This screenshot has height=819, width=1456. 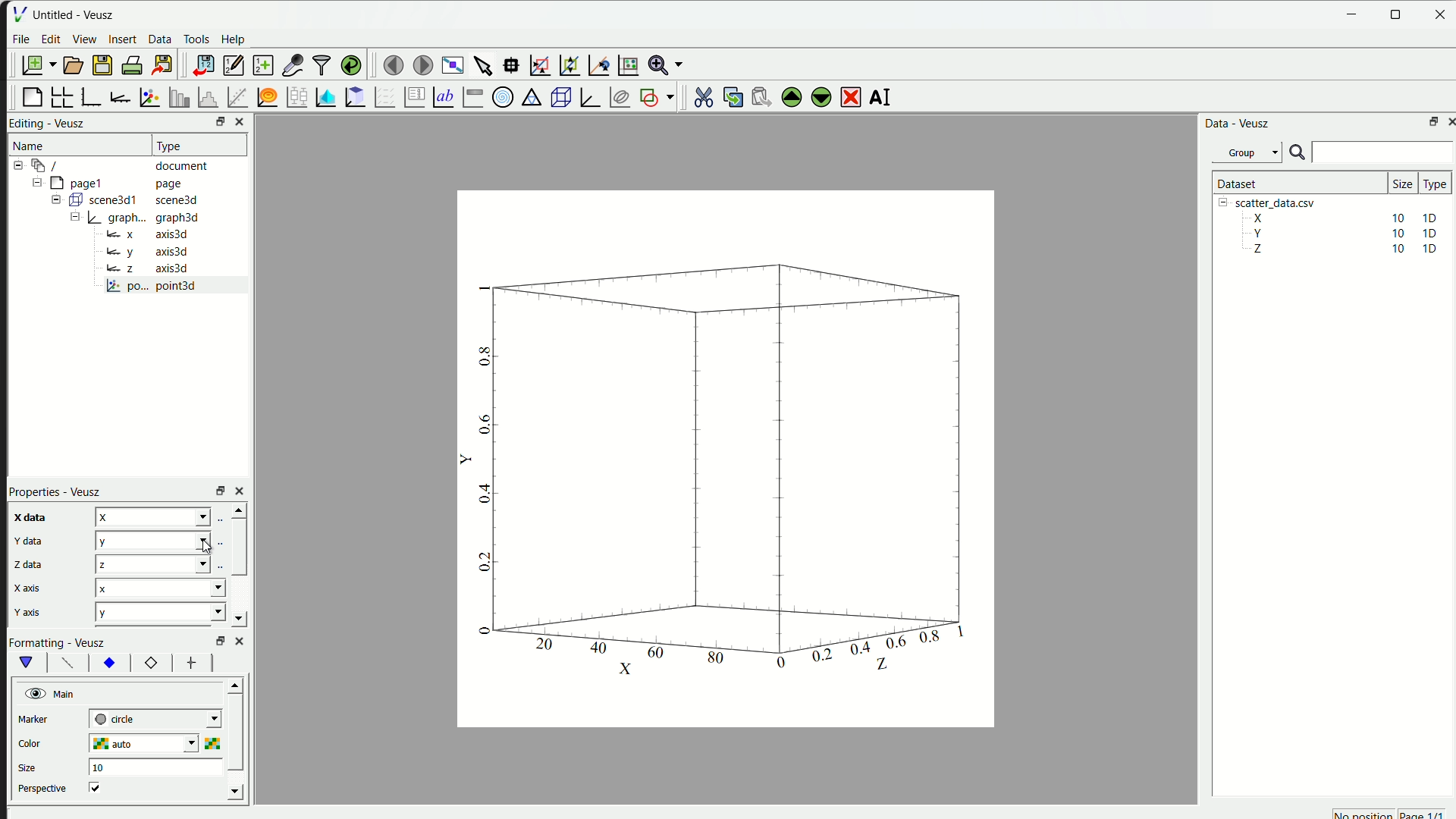 What do you see at coordinates (265, 97) in the screenshot?
I see `plot function` at bounding box center [265, 97].